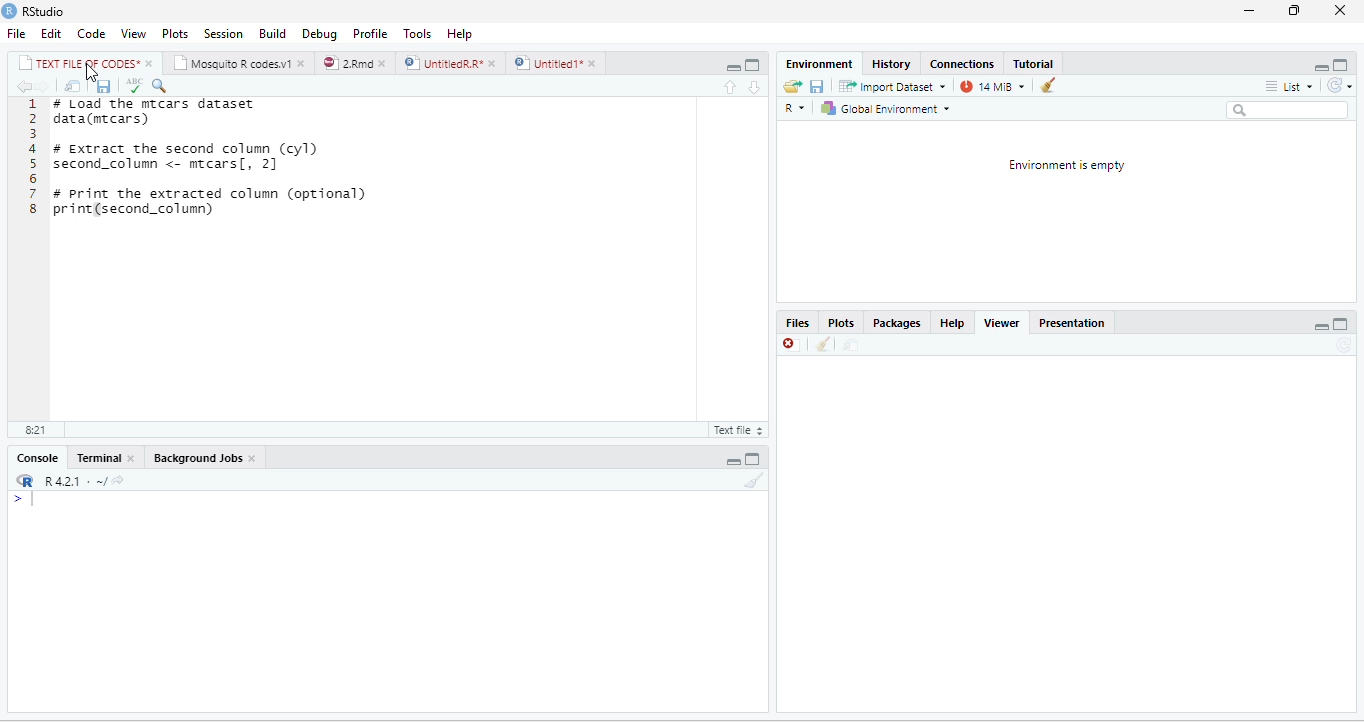  Describe the element at coordinates (163, 85) in the screenshot. I see `serach` at that location.